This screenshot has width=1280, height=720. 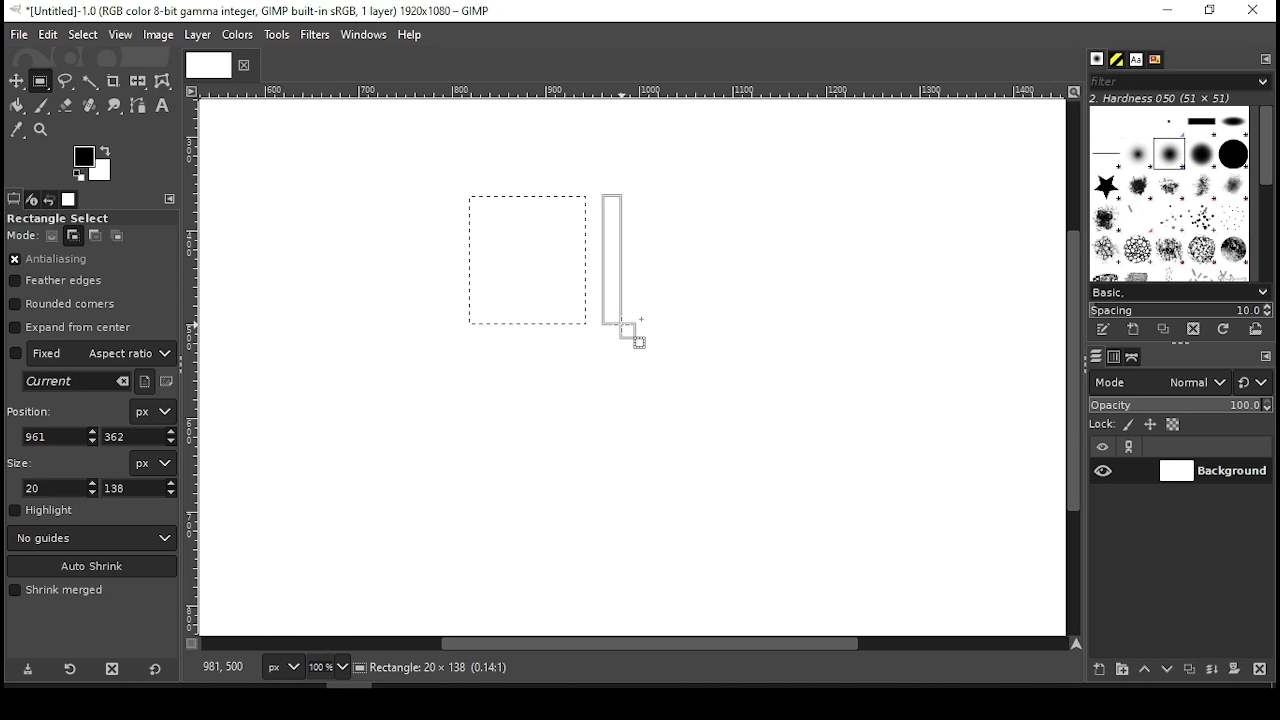 I want to click on lock alpha channel, so click(x=1172, y=425).